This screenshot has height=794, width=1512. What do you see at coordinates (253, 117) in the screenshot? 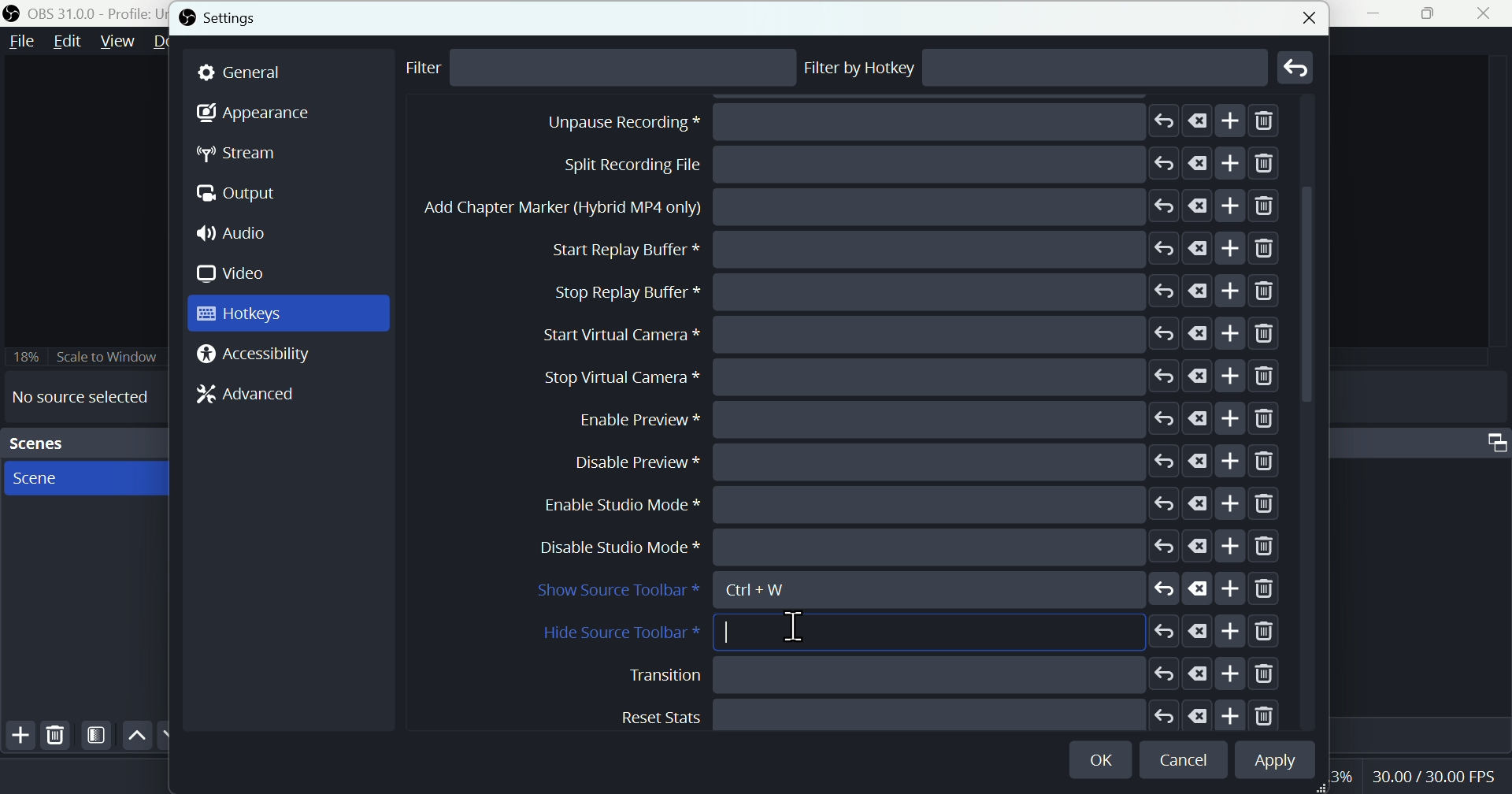
I see `Appearance` at bounding box center [253, 117].